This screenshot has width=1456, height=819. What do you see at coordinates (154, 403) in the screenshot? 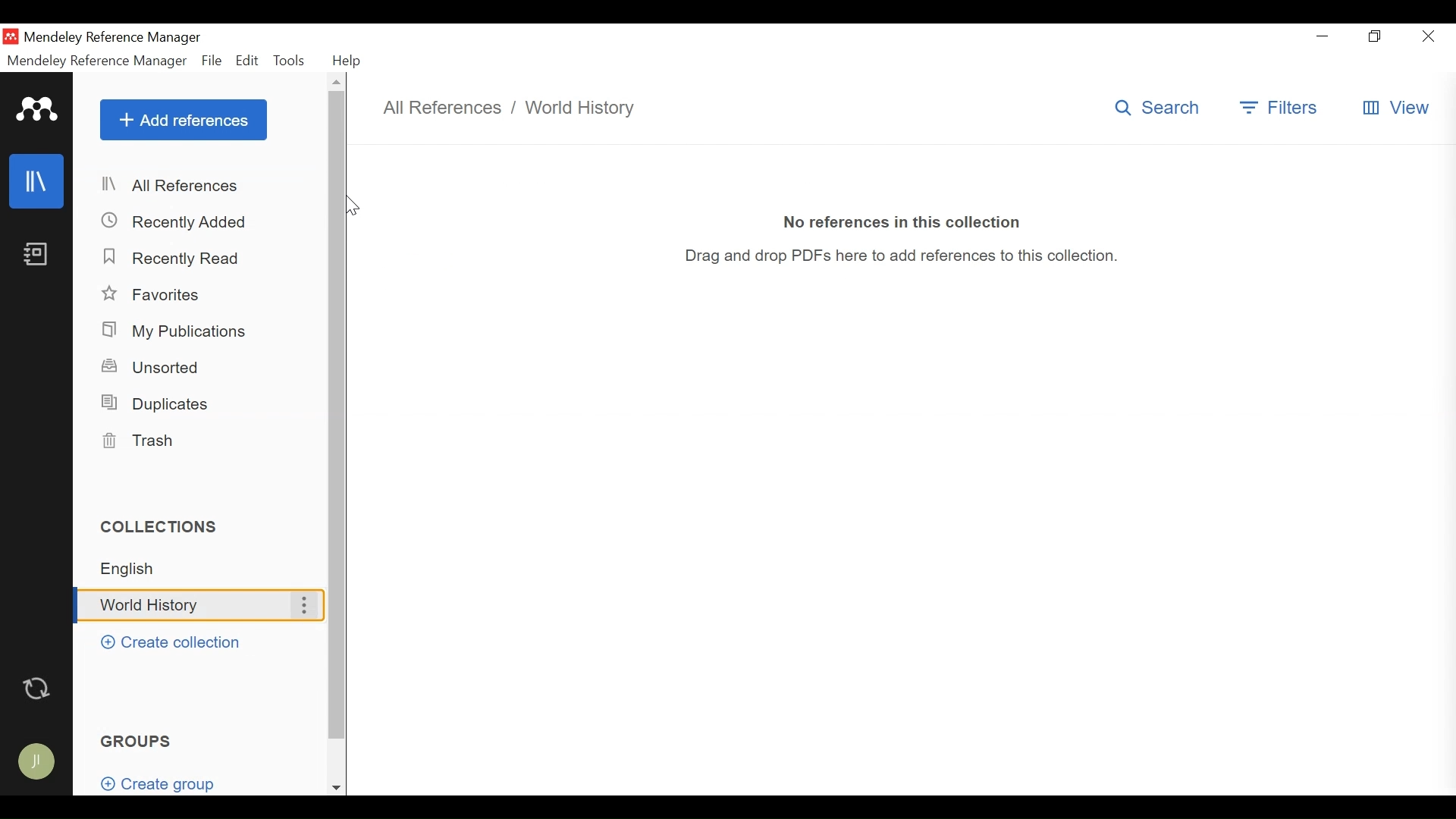
I see `Duplicates` at bounding box center [154, 403].